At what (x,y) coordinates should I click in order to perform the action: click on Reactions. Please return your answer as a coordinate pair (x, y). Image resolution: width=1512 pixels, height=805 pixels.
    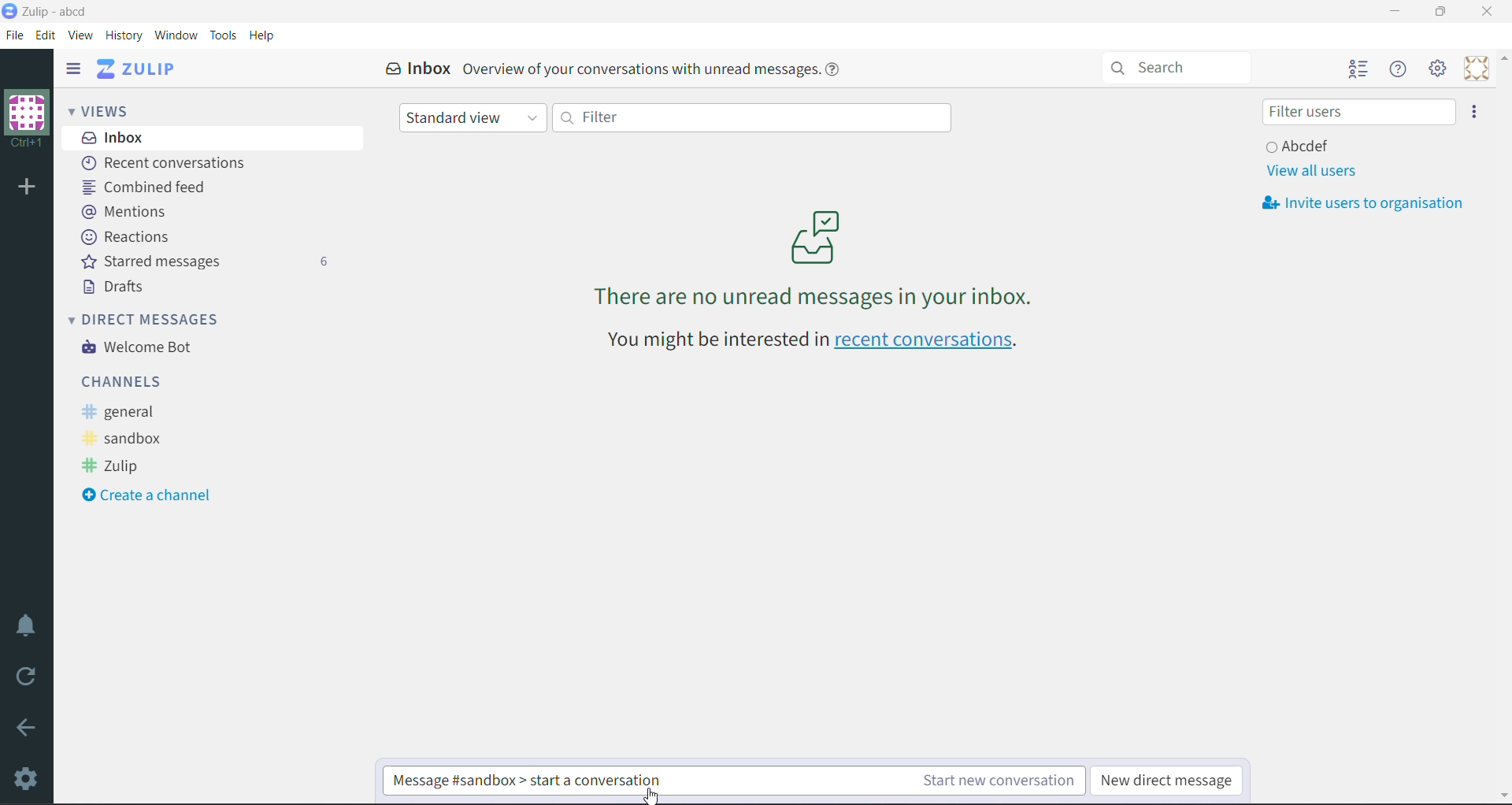
    Looking at the image, I should click on (128, 237).